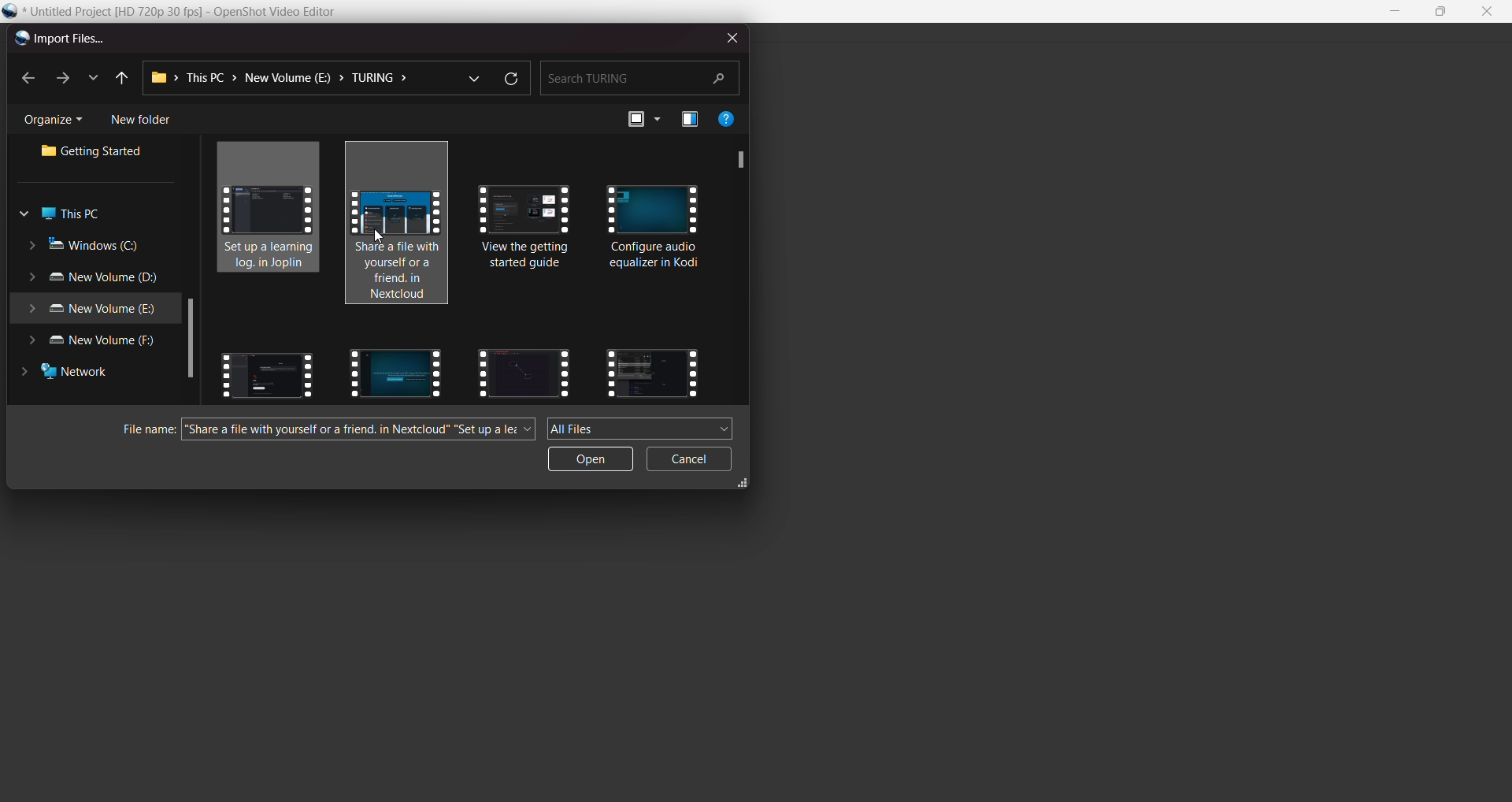 This screenshot has height=802, width=1512. What do you see at coordinates (736, 159) in the screenshot?
I see `scroll bar` at bounding box center [736, 159].